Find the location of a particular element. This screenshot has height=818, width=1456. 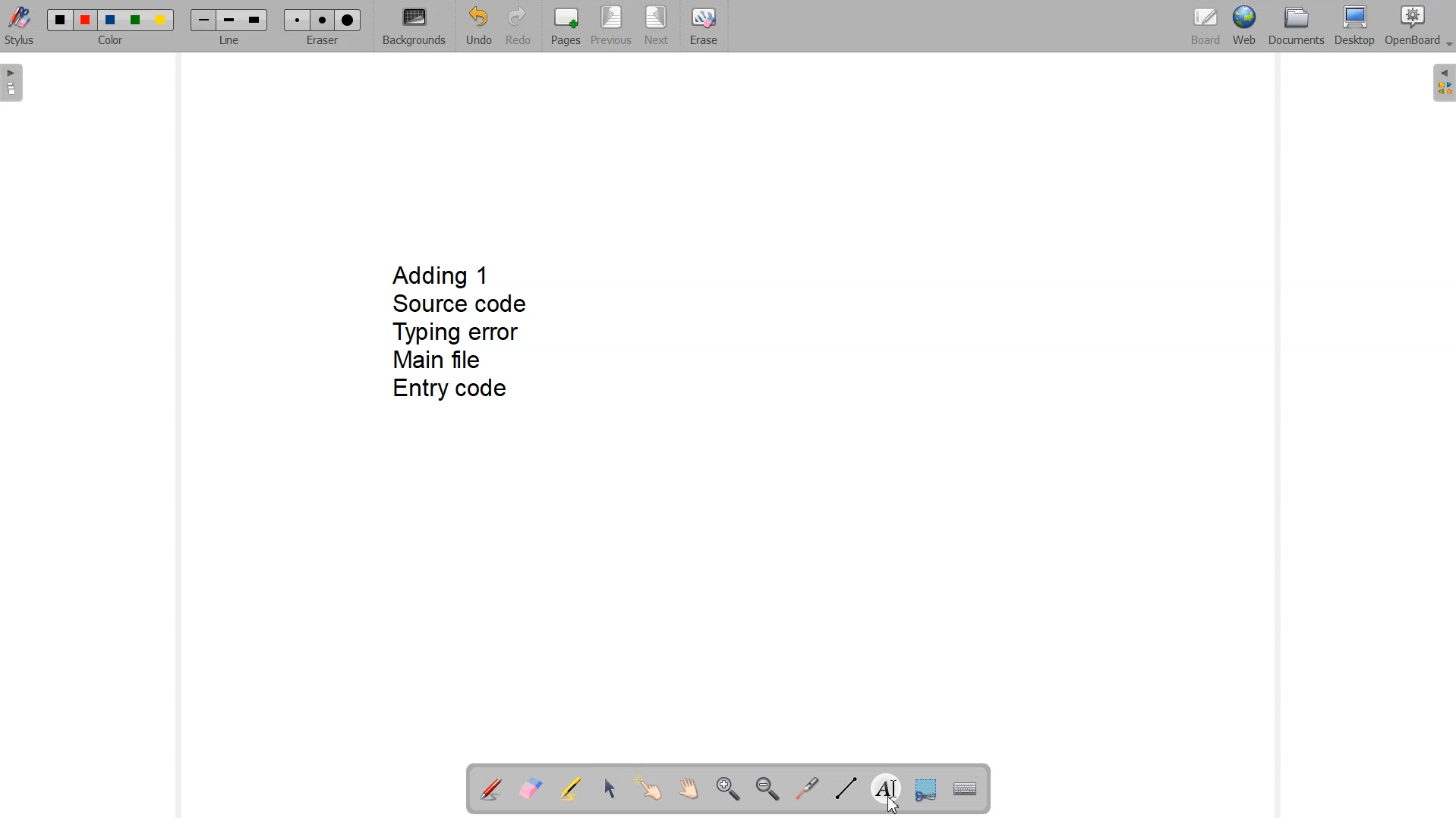

Next is located at coordinates (656, 25).